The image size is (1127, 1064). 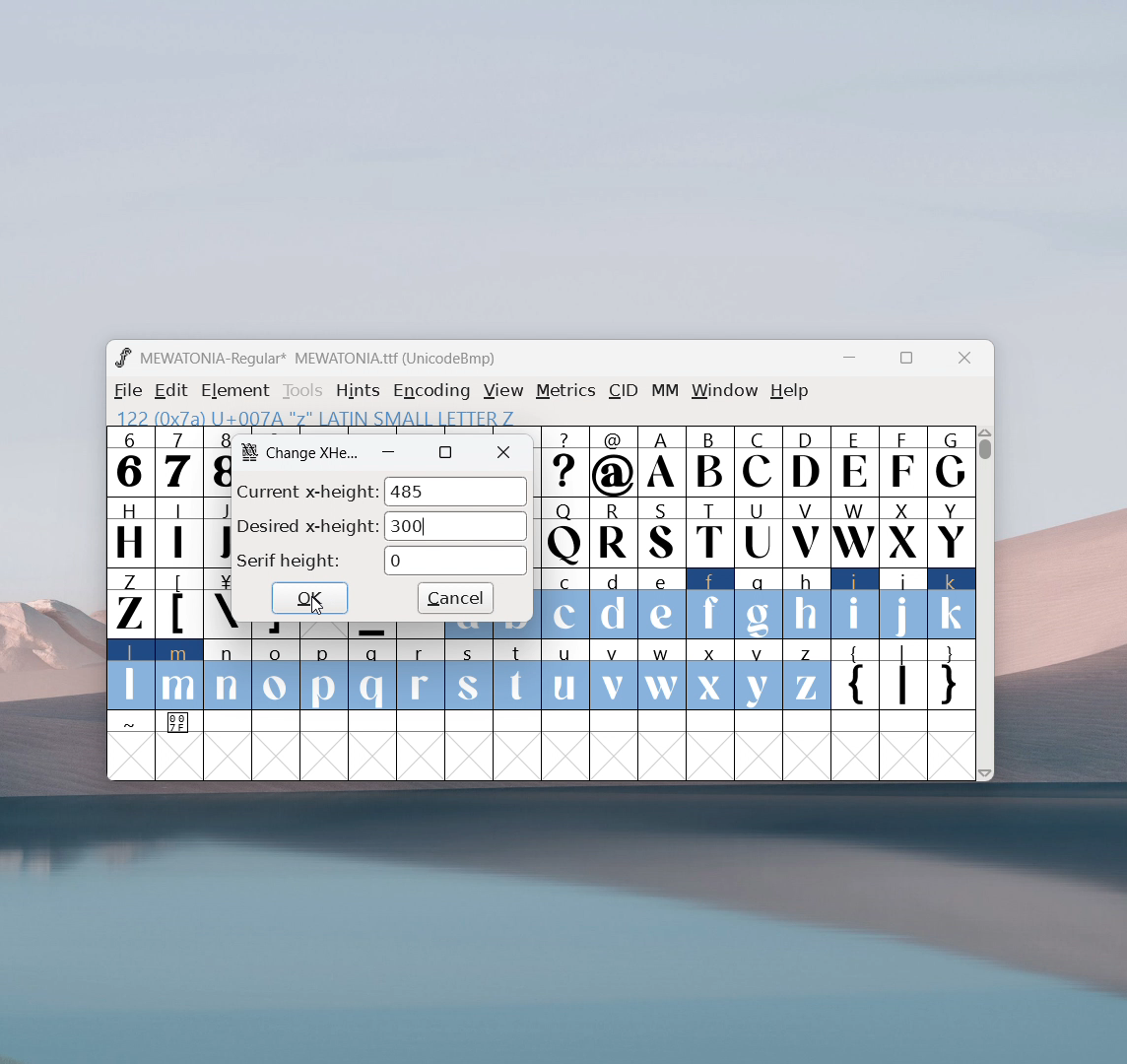 I want to click on 0, so click(x=455, y=561).